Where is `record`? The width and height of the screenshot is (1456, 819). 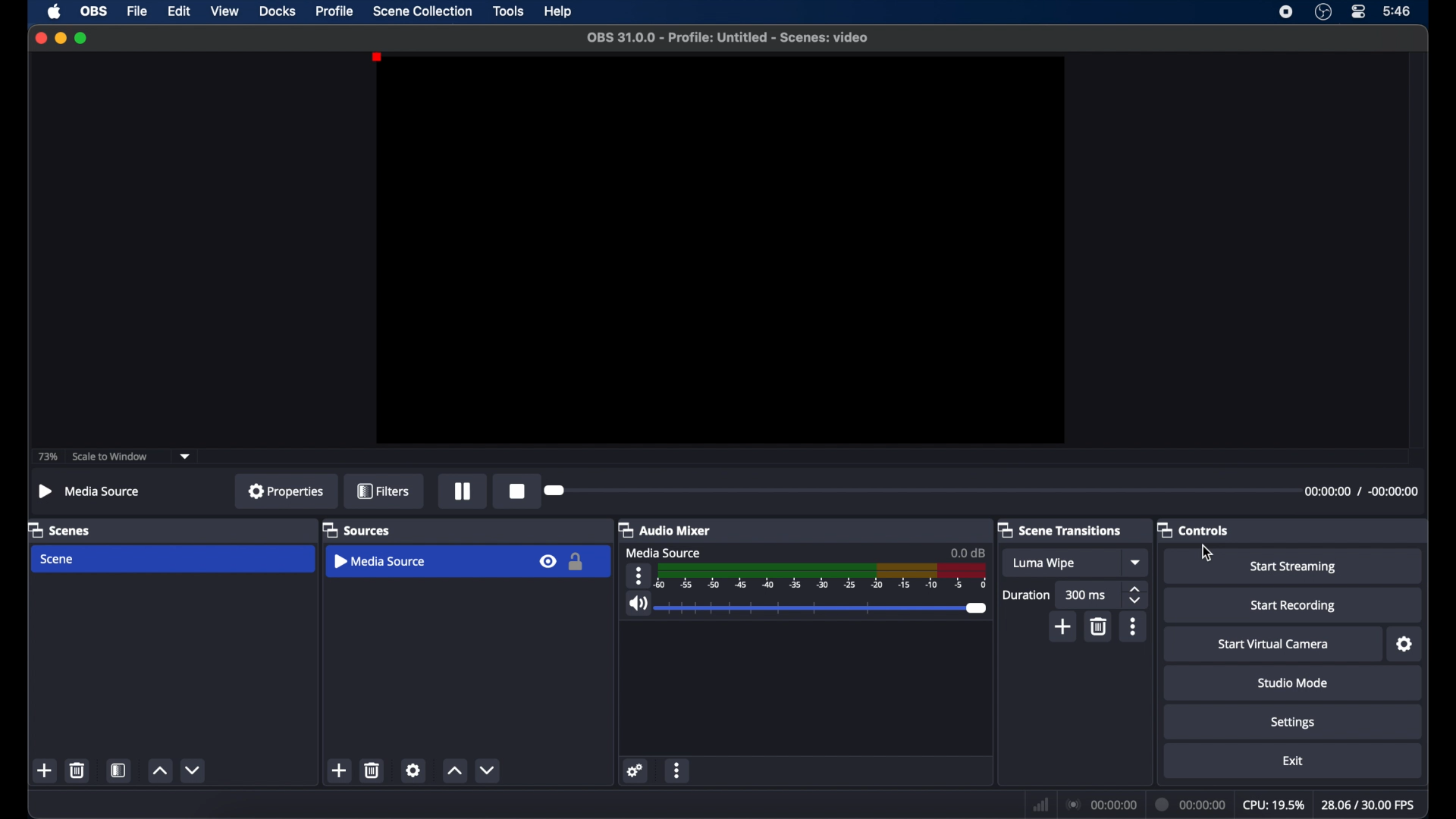 record is located at coordinates (518, 491).